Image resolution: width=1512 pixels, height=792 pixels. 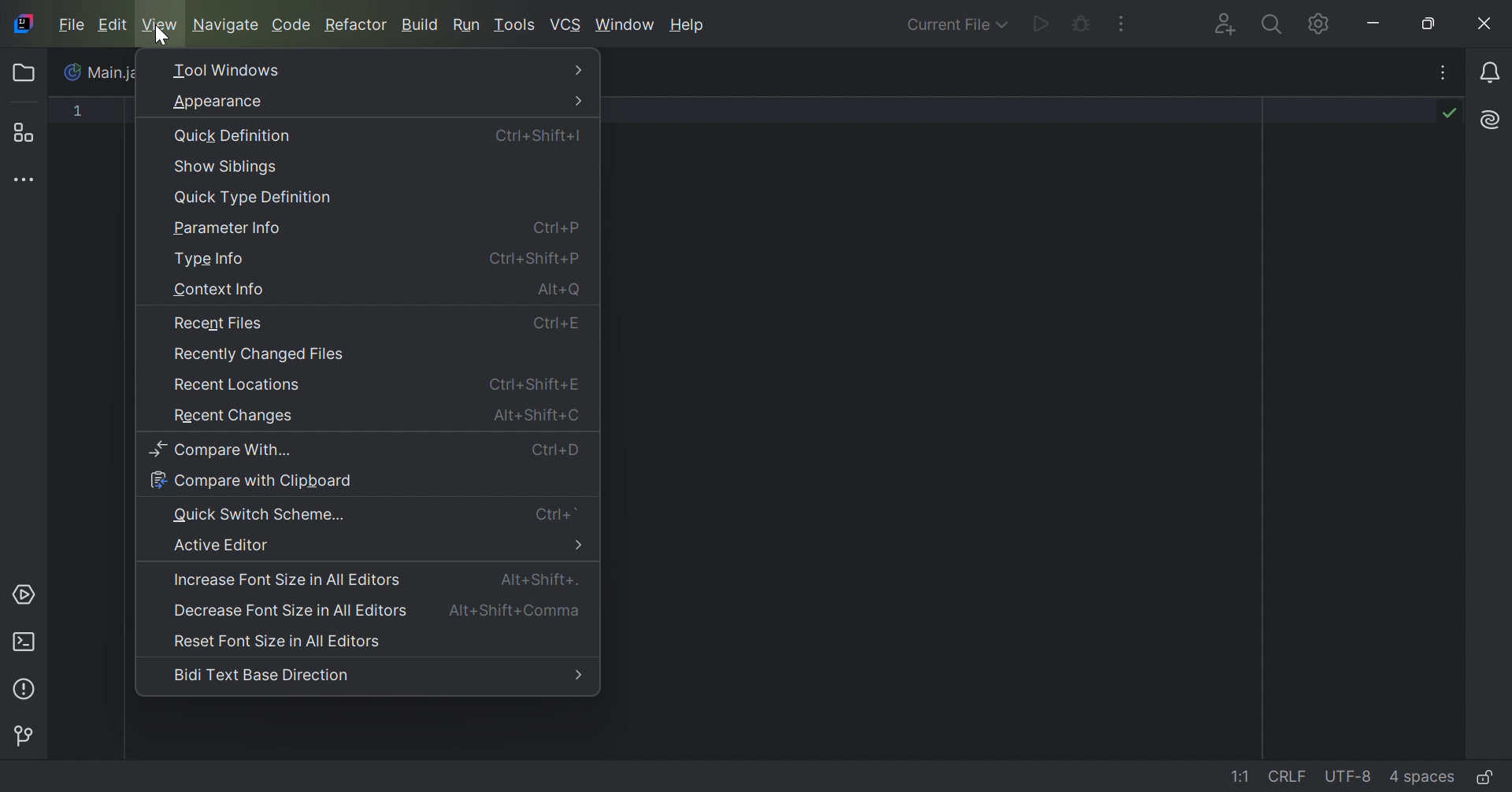 I want to click on Make file read-only, so click(x=1484, y=779).